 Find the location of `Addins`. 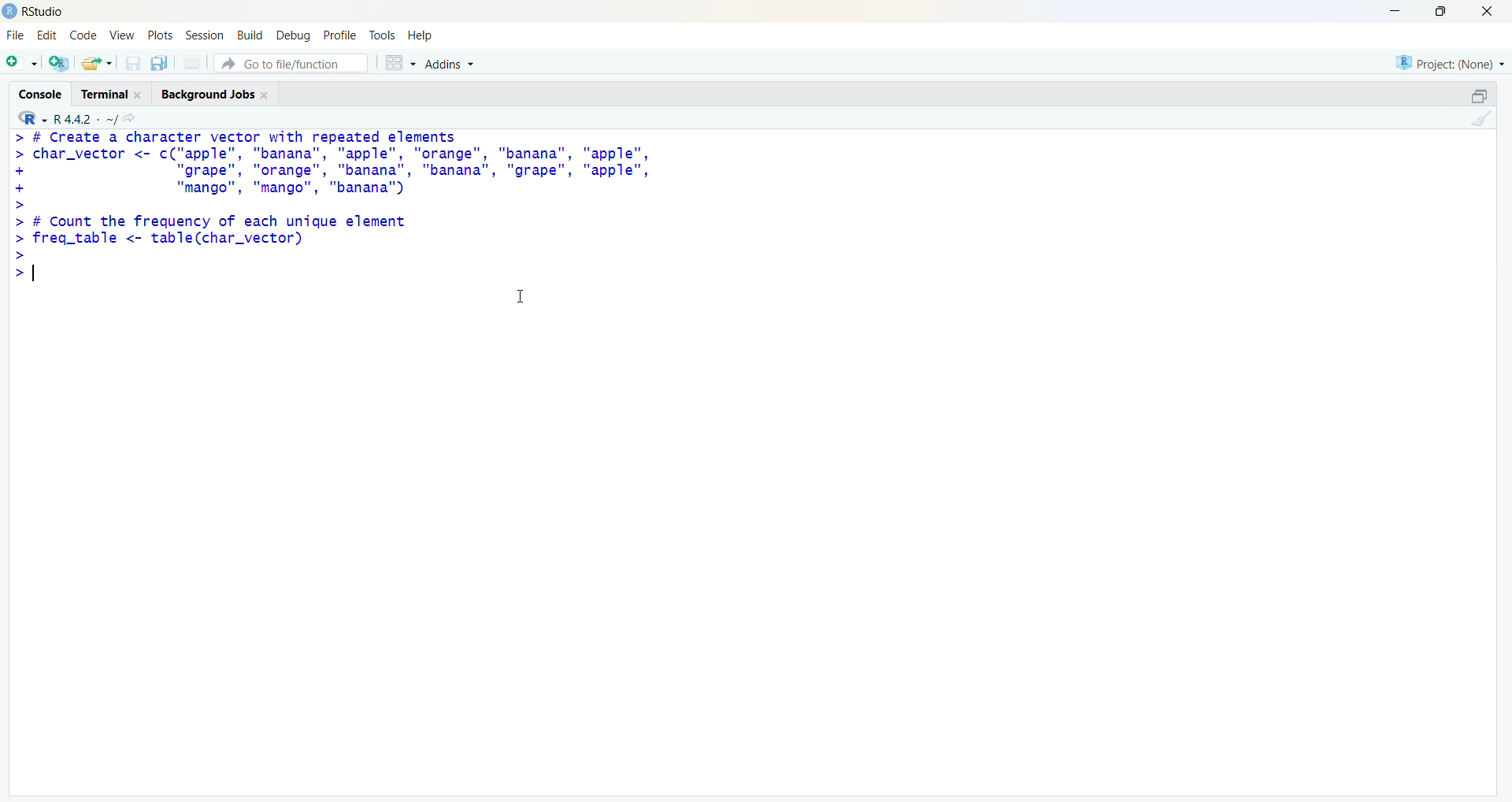

Addins is located at coordinates (451, 64).